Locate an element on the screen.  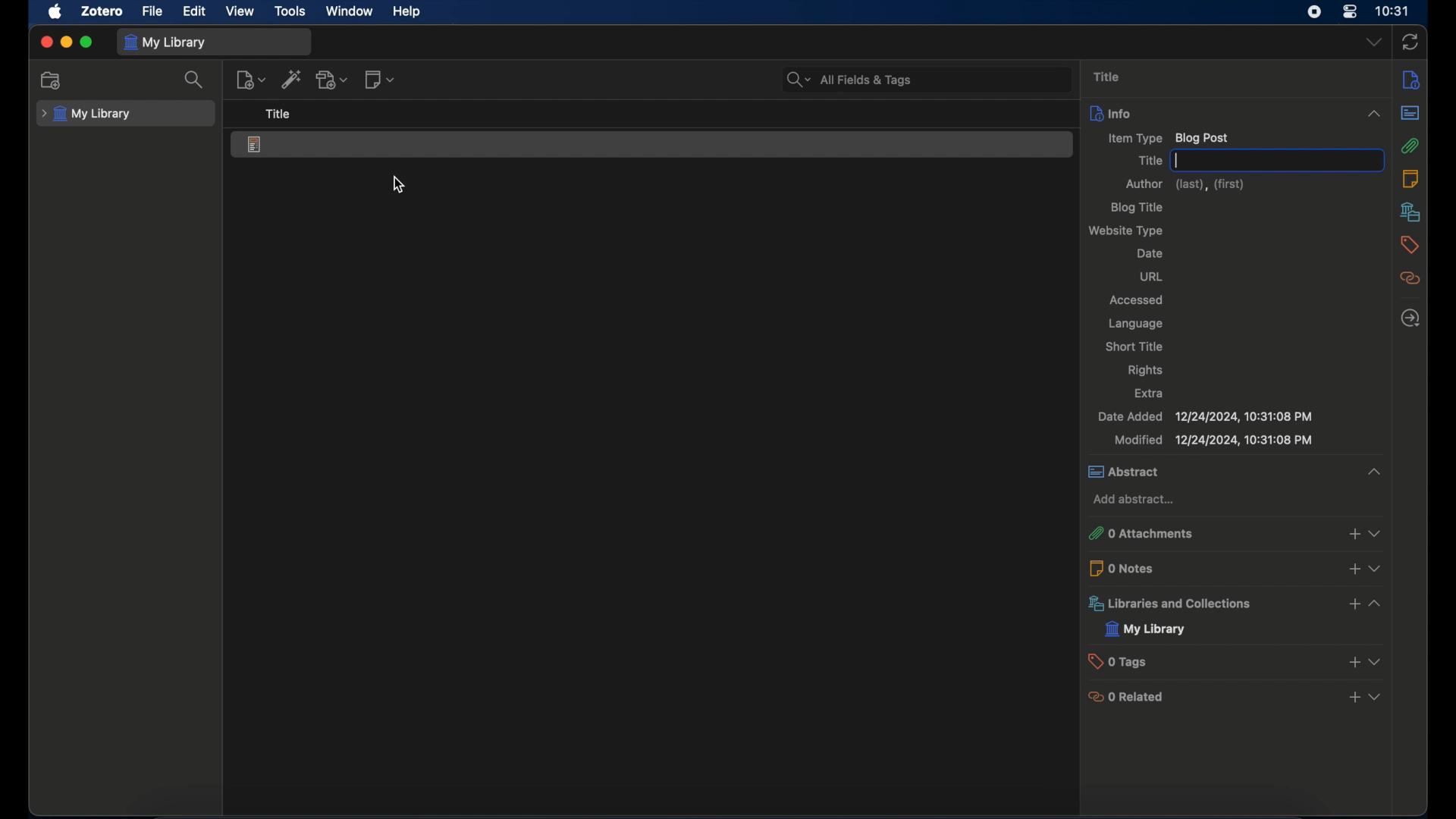
new notes is located at coordinates (379, 79).